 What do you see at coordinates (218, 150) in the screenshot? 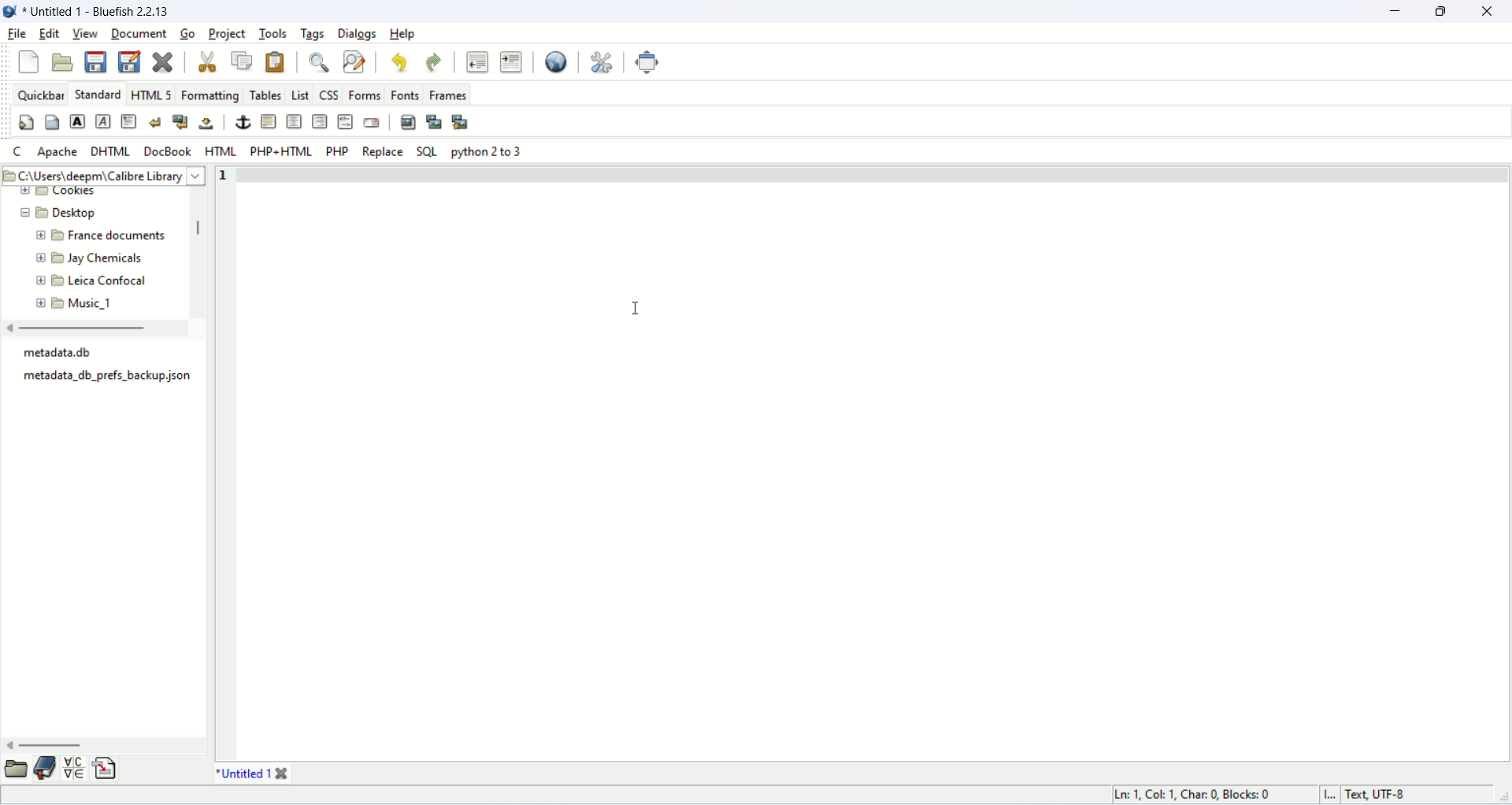
I see `HTML` at bounding box center [218, 150].